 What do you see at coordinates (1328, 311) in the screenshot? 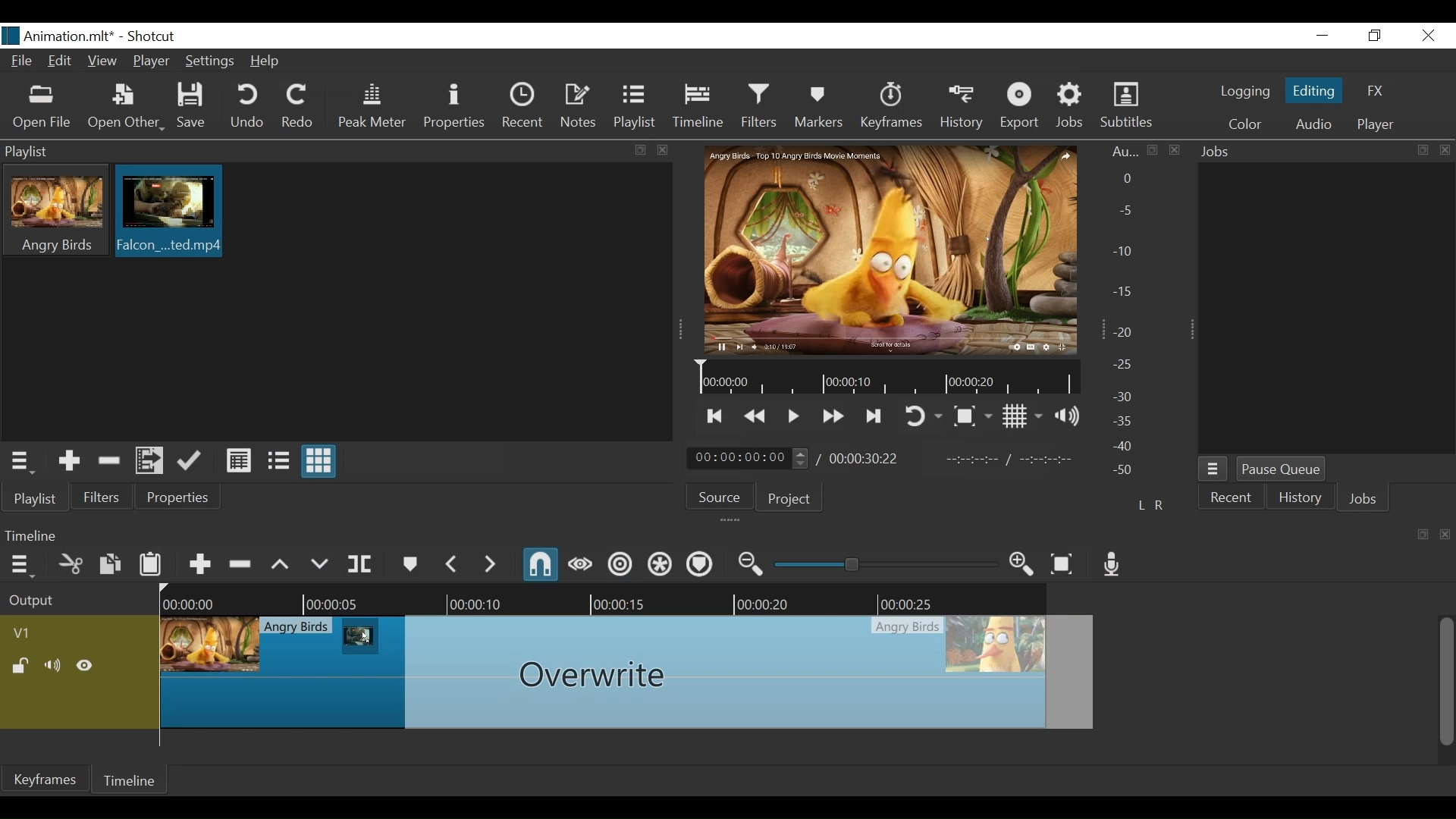
I see `Jobs Panel` at bounding box center [1328, 311].